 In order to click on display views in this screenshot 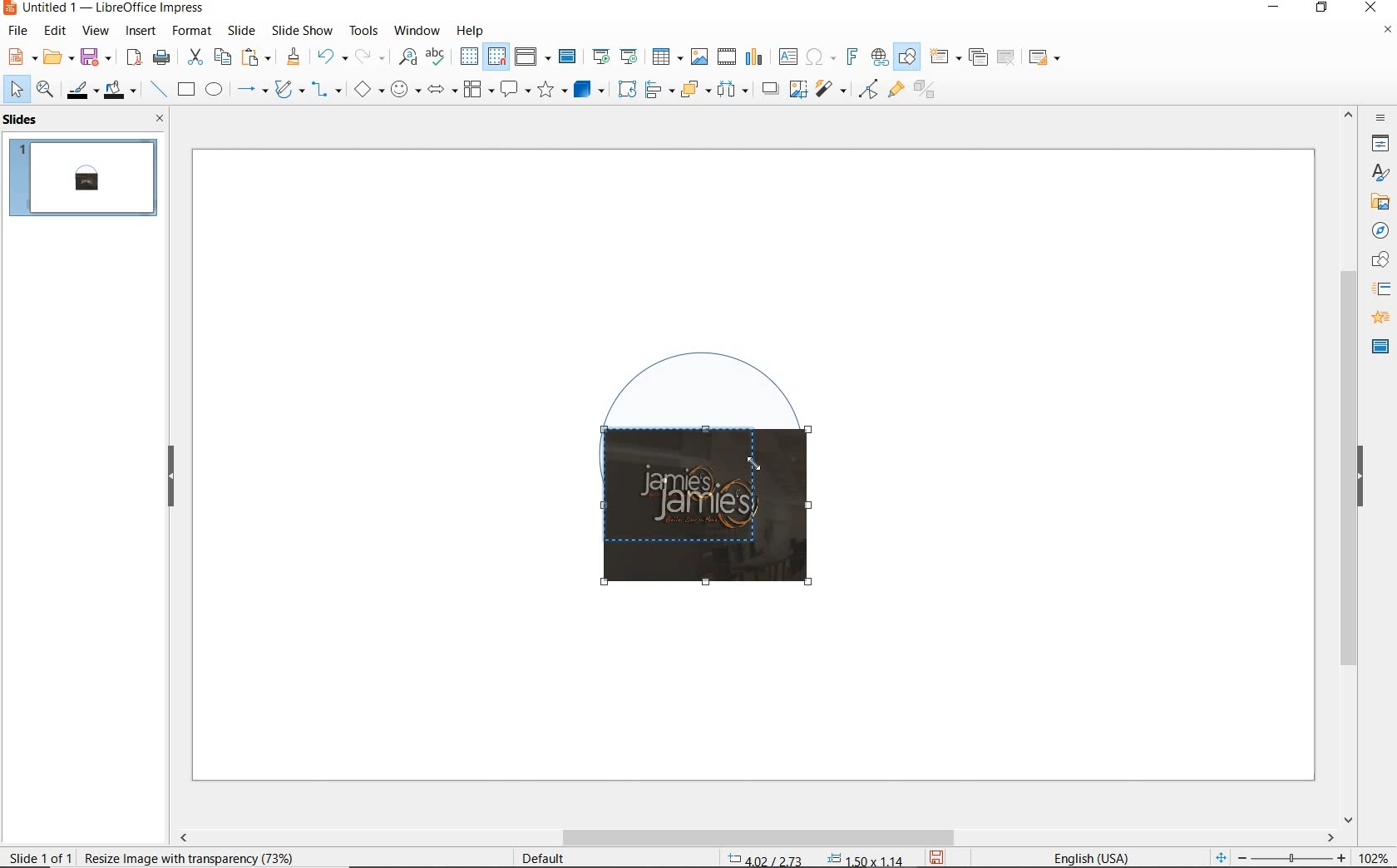, I will do `click(533, 58)`.